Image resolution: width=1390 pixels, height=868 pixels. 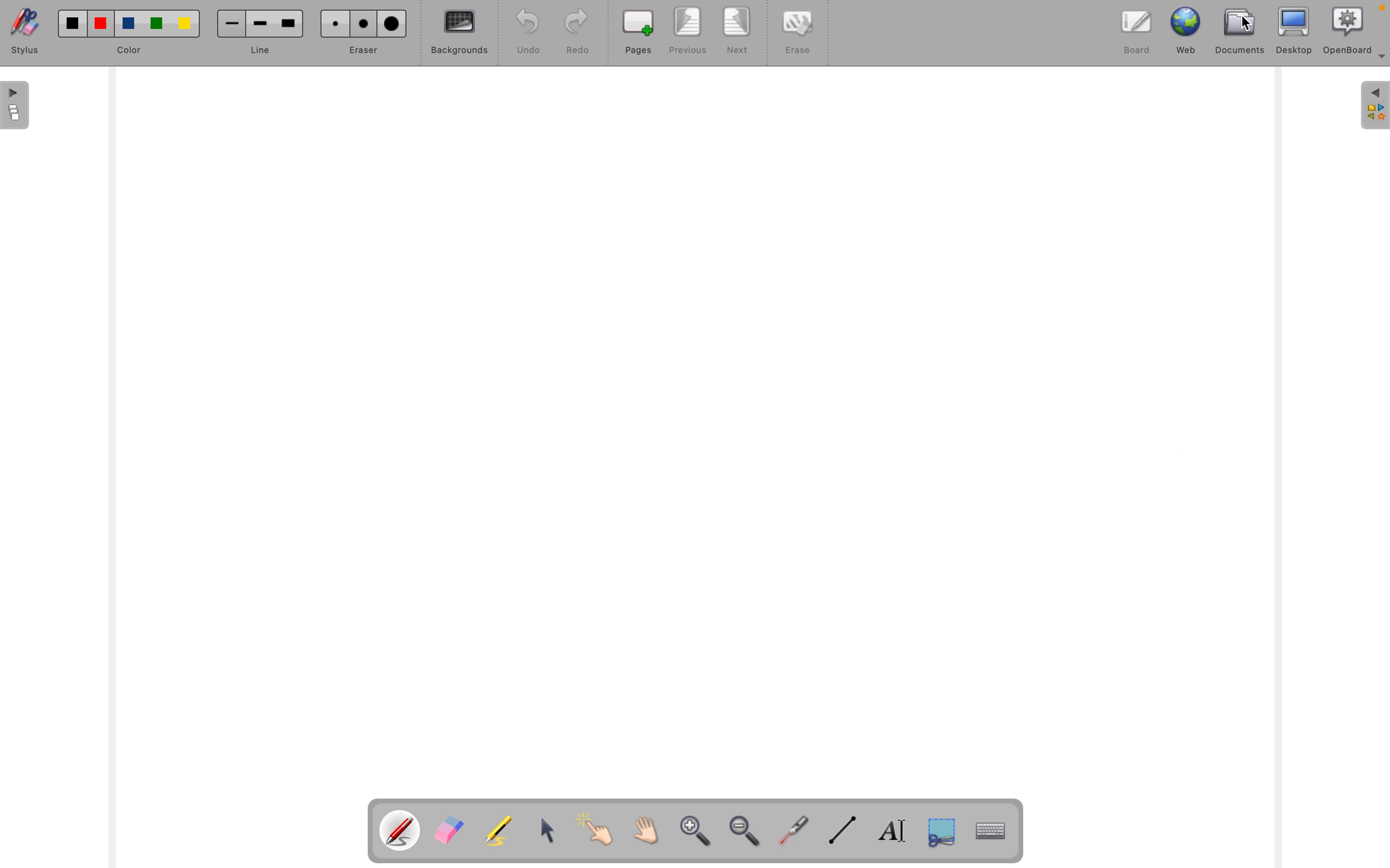 I want to click on more options, so click(x=1379, y=61).